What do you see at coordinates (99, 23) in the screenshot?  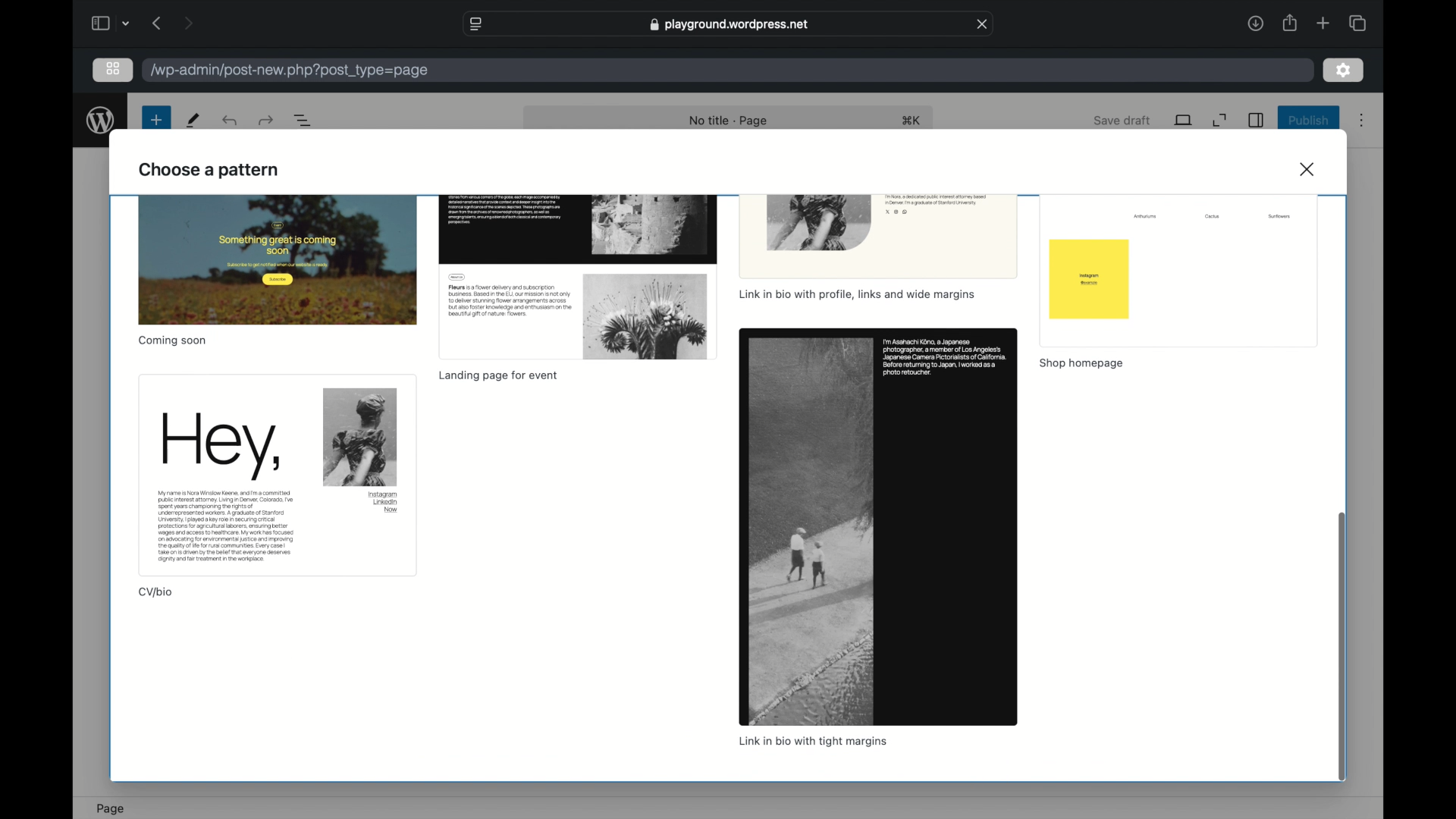 I see `sidebar` at bounding box center [99, 23].